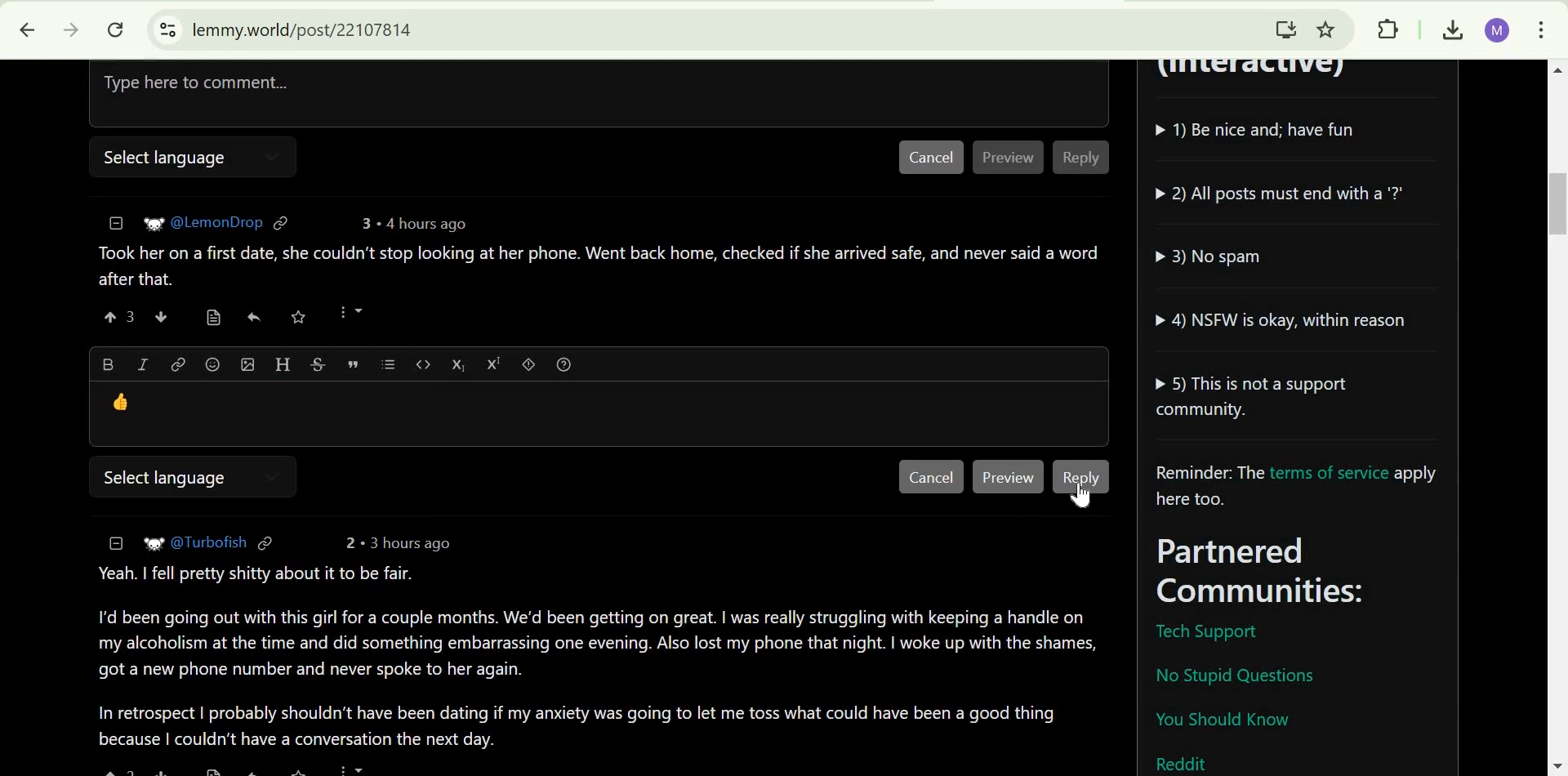 The width and height of the screenshot is (1568, 776). Describe the element at coordinates (931, 477) in the screenshot. I see `Cancel` at that location.